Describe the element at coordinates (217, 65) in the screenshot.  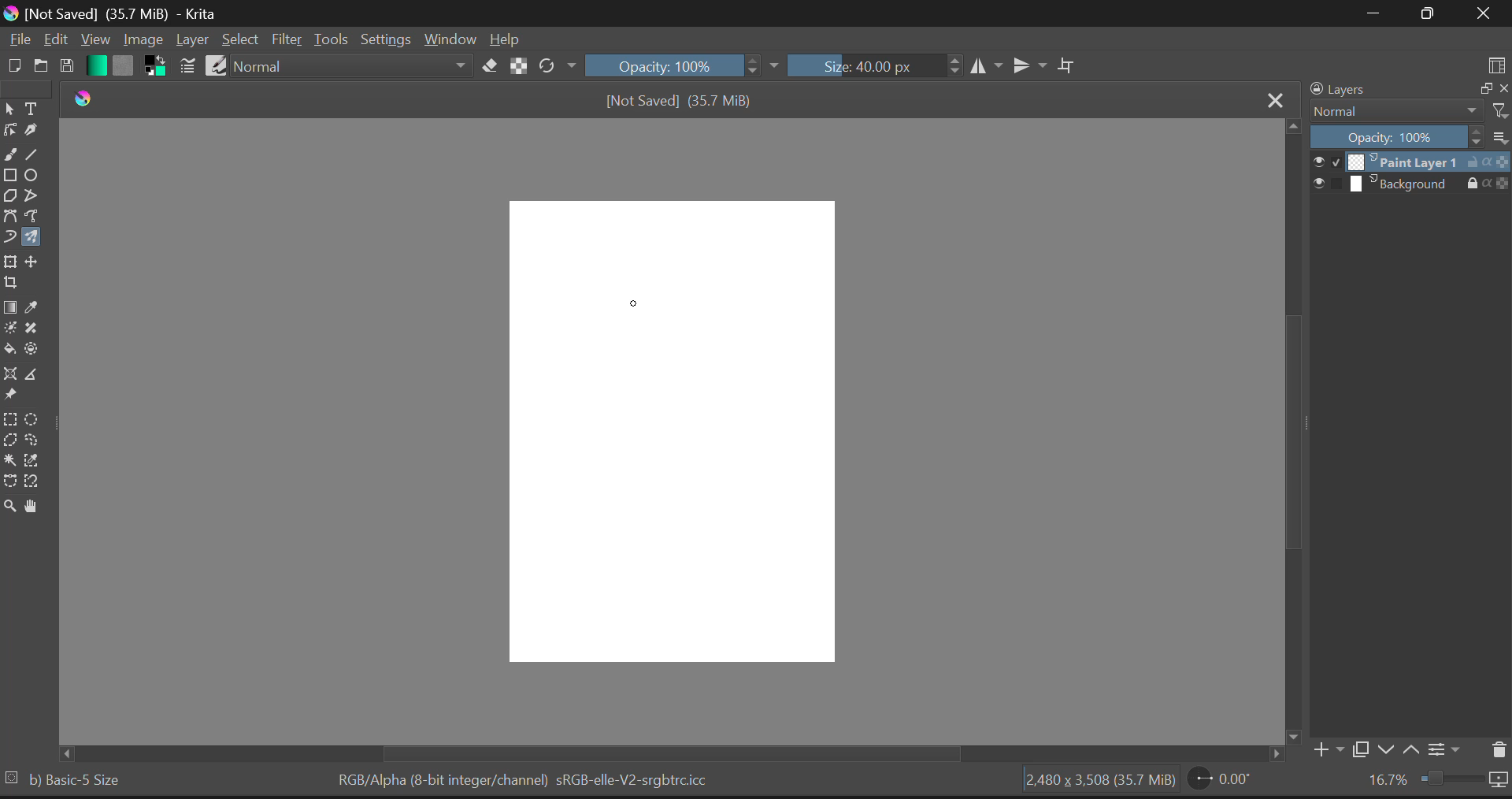
I see `Brush Presets` at that location.